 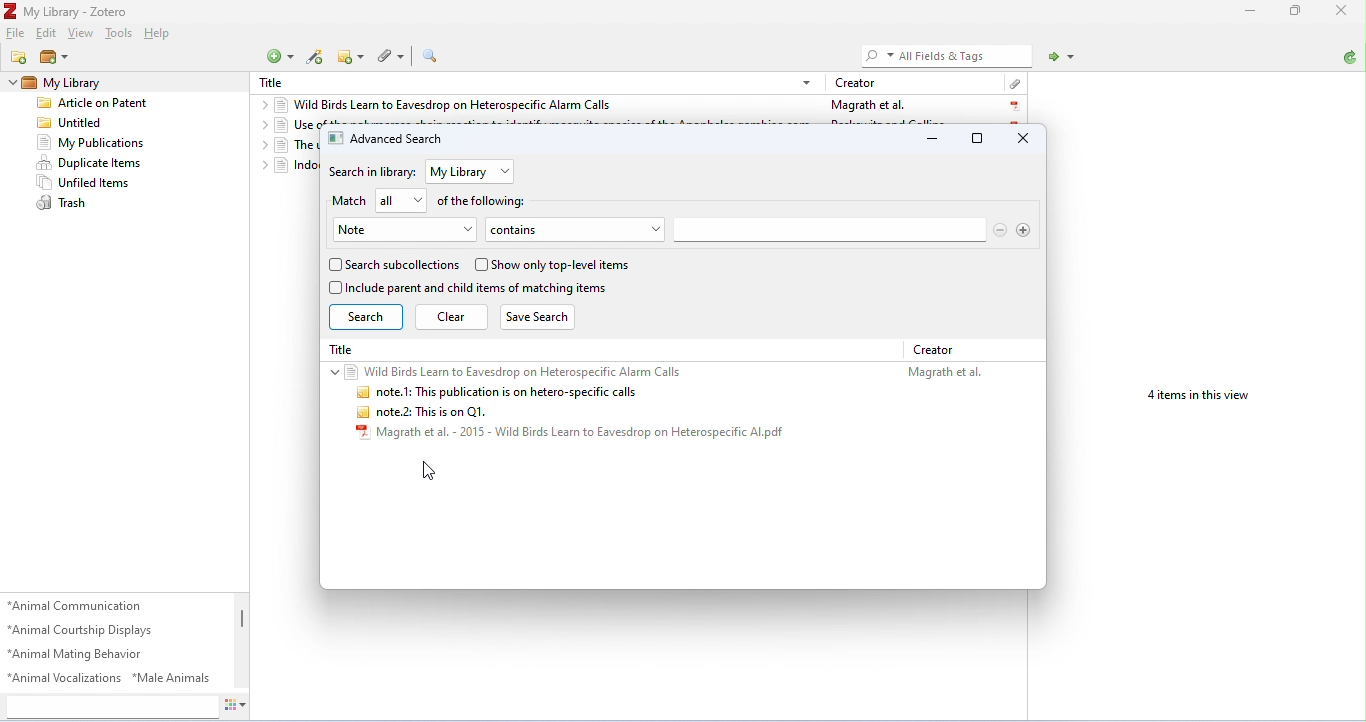 What do you see at coordinates (478, 288) in the screenshot?
I see `include parent and child items of matching items` at bounding box center [478, 288].